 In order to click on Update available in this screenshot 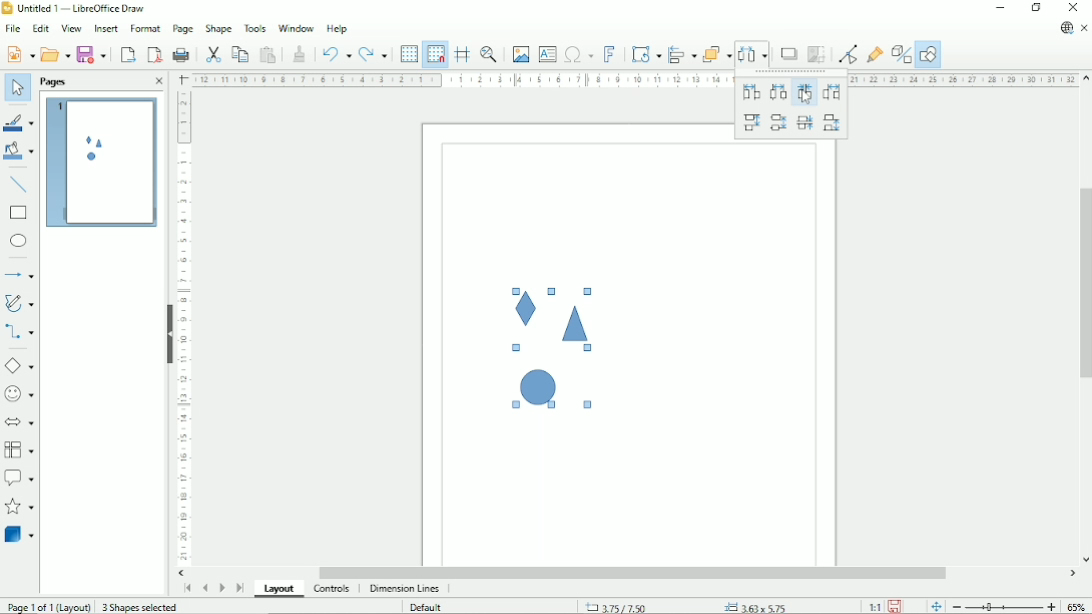, I will do `click(1066, 28)`.